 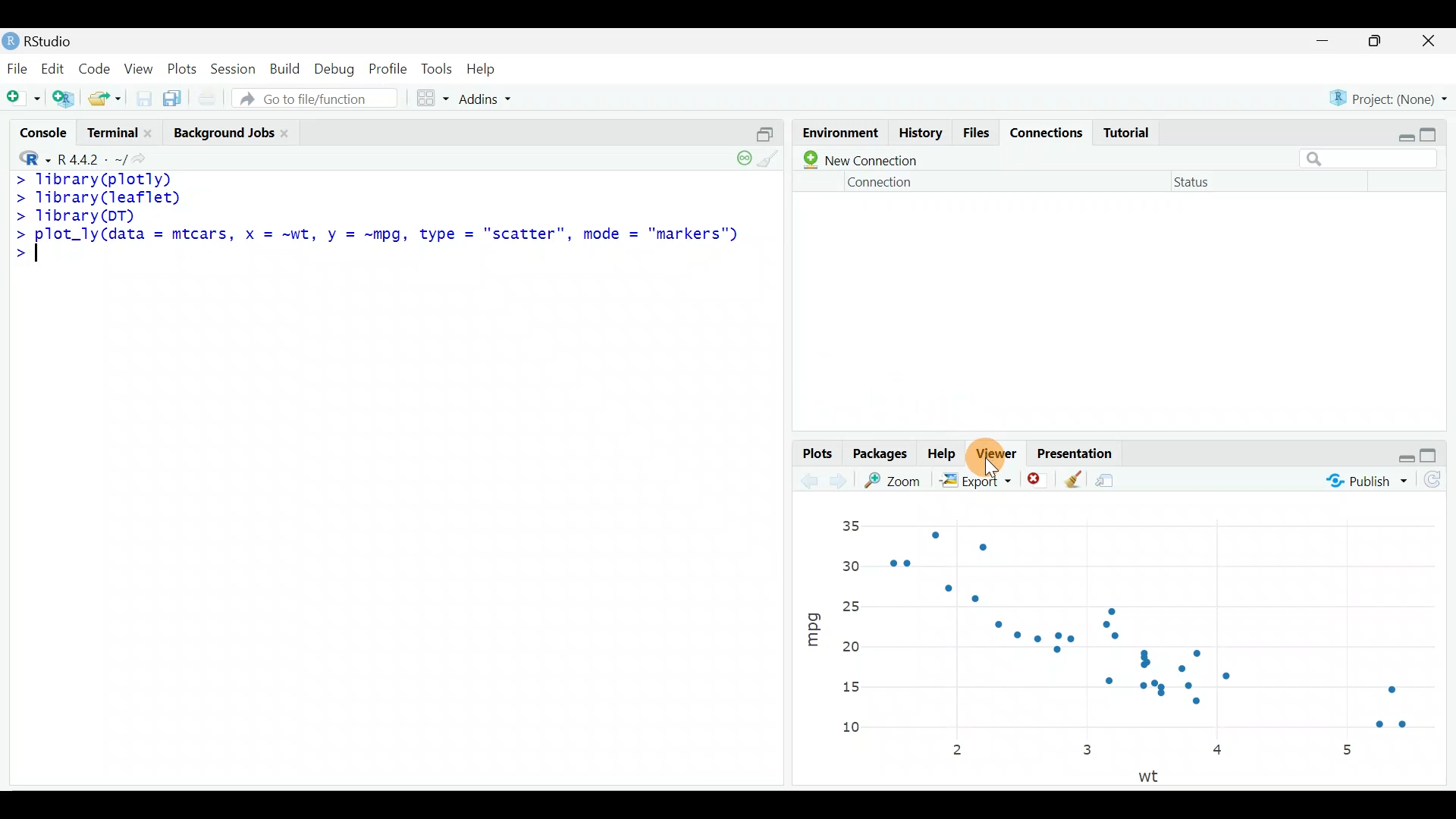 What do you see at coordinates (146, 98) in the screenshot?
I see `Save current document` at bounding box center [146, 98].